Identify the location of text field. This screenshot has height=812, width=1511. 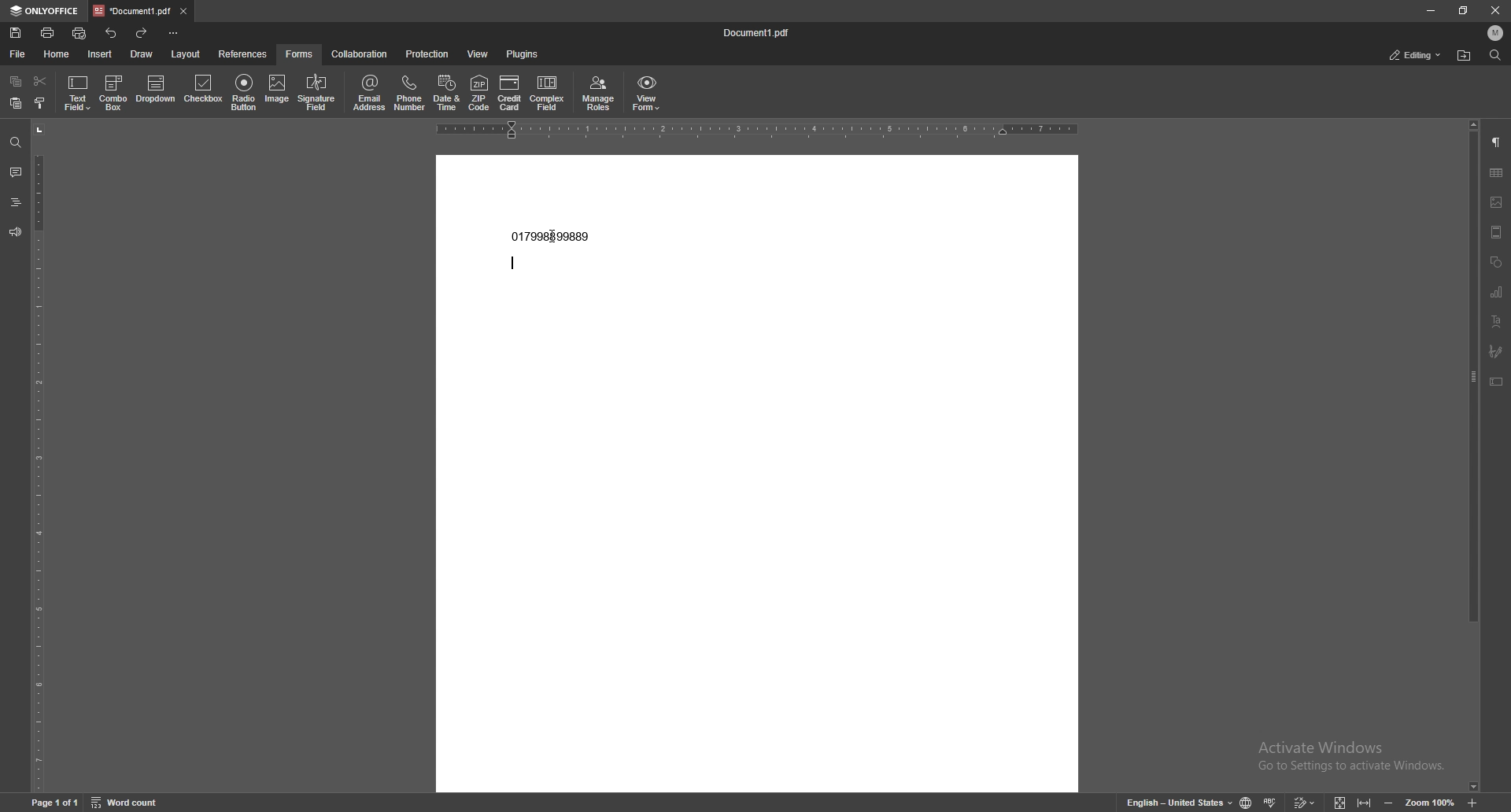
(78, 94).